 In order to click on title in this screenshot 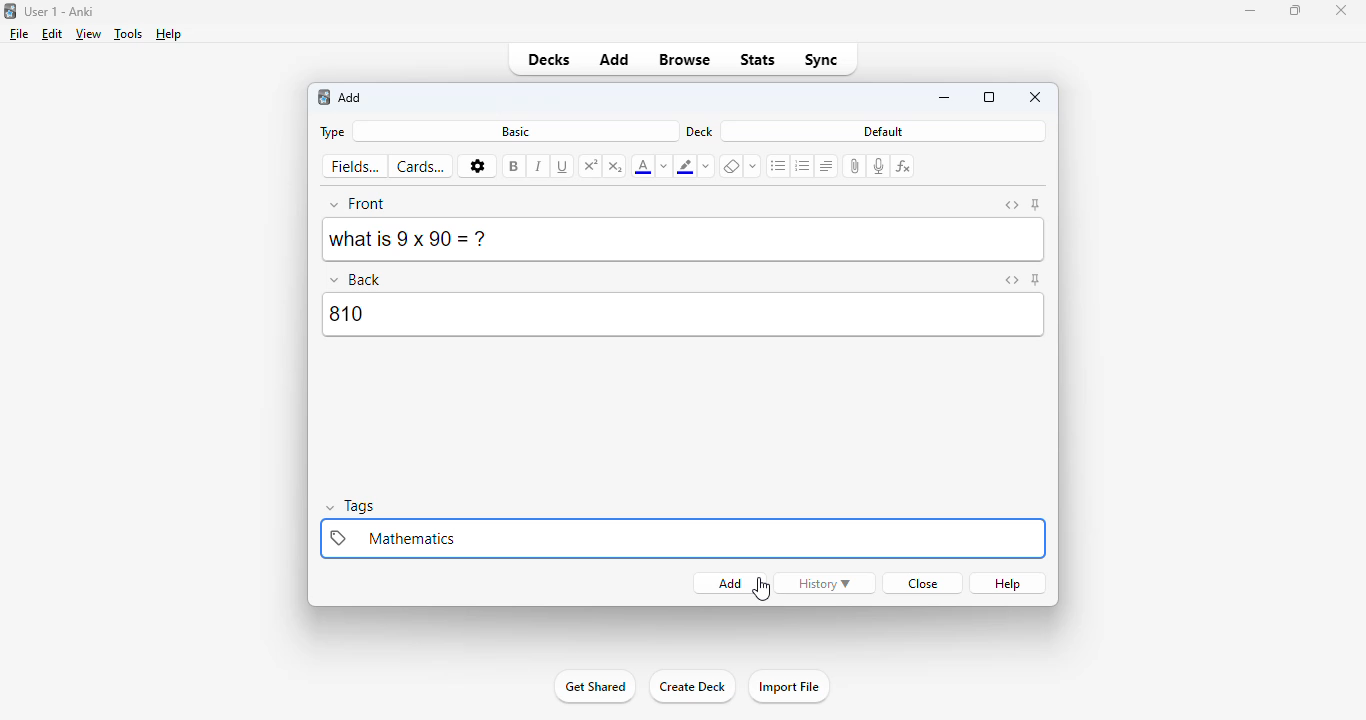, I will do `click(60, 11)`.